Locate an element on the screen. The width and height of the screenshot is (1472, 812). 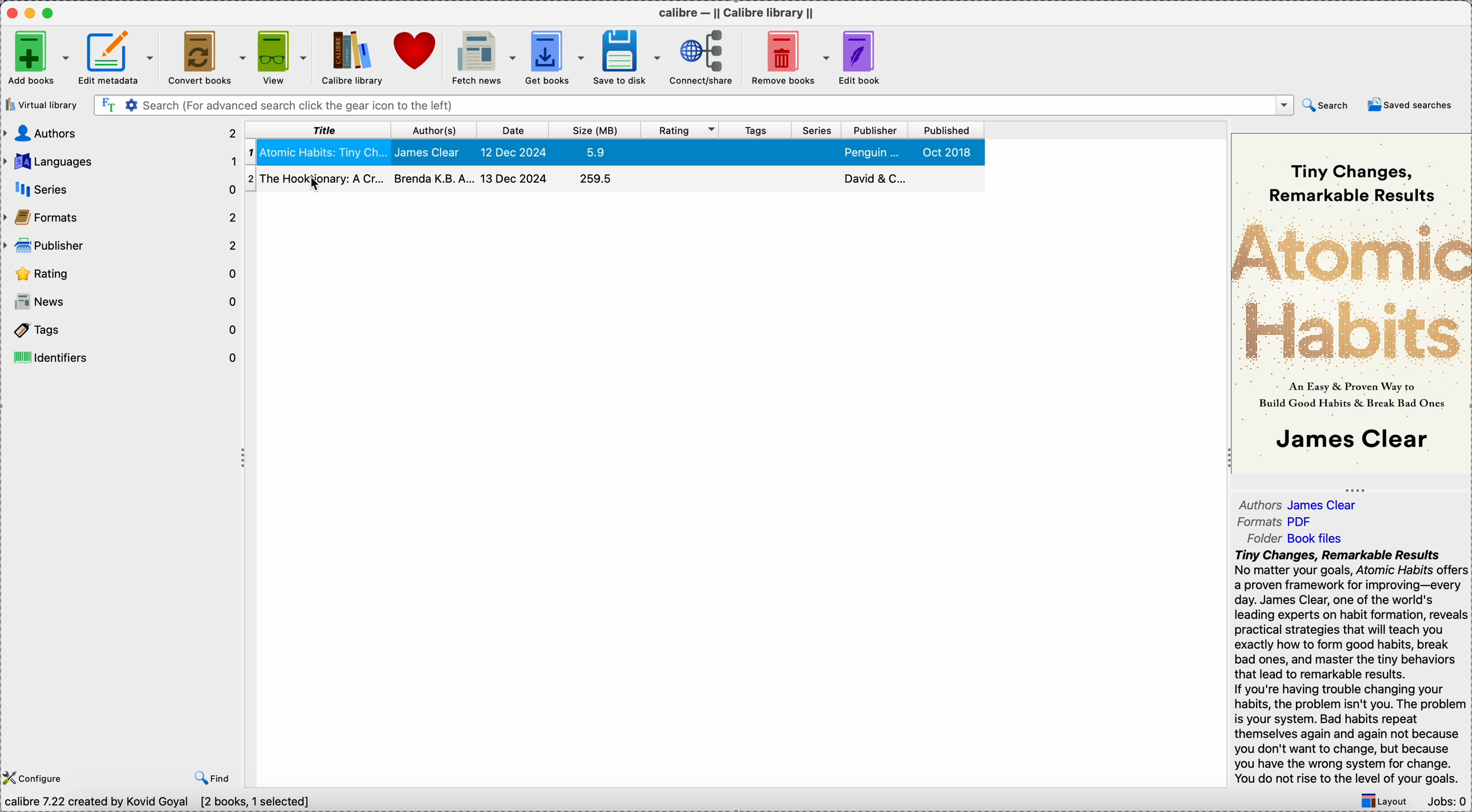
languages is located at coordinates (122, 162).